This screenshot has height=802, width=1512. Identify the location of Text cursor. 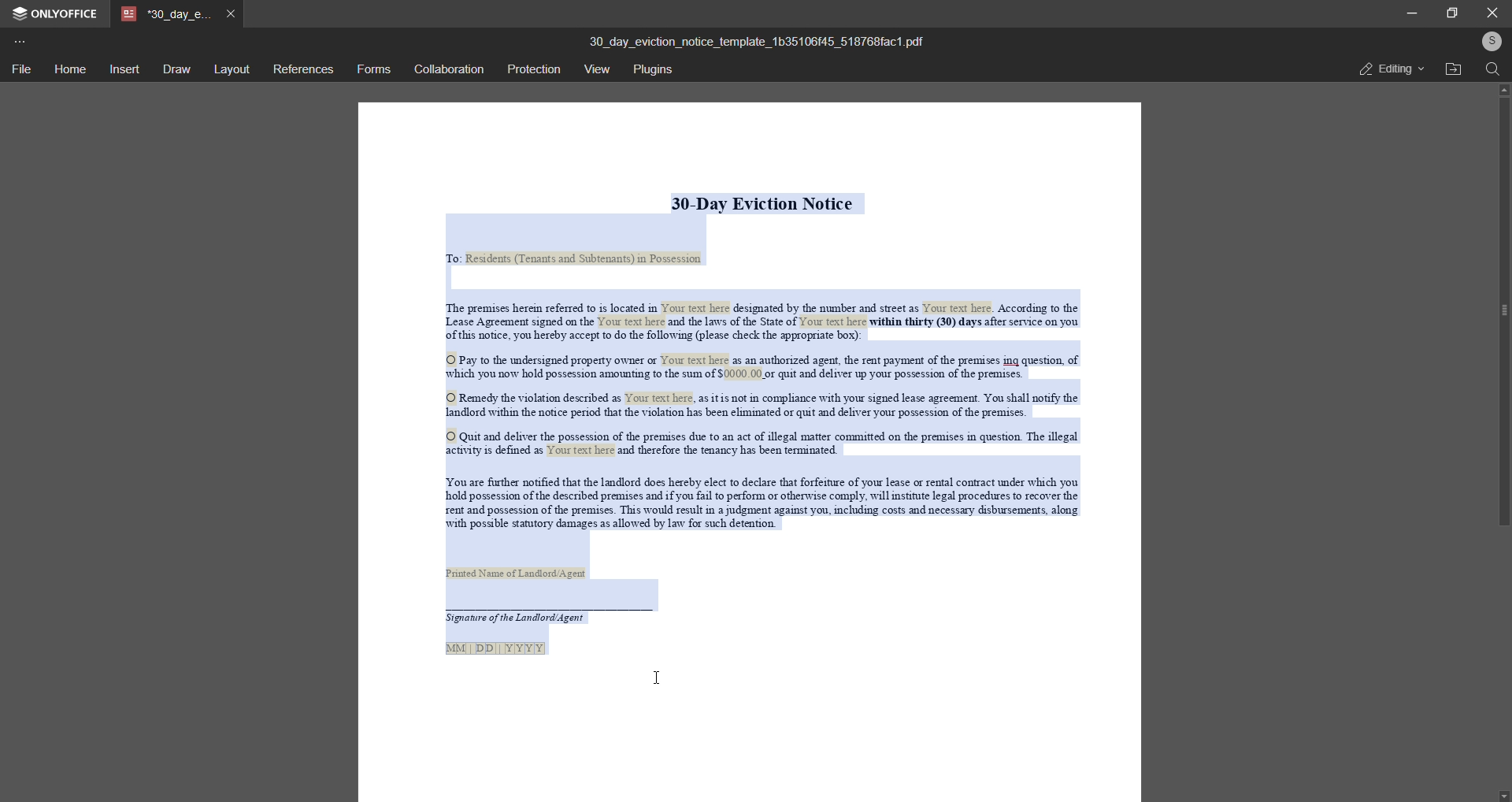
(661, 681).